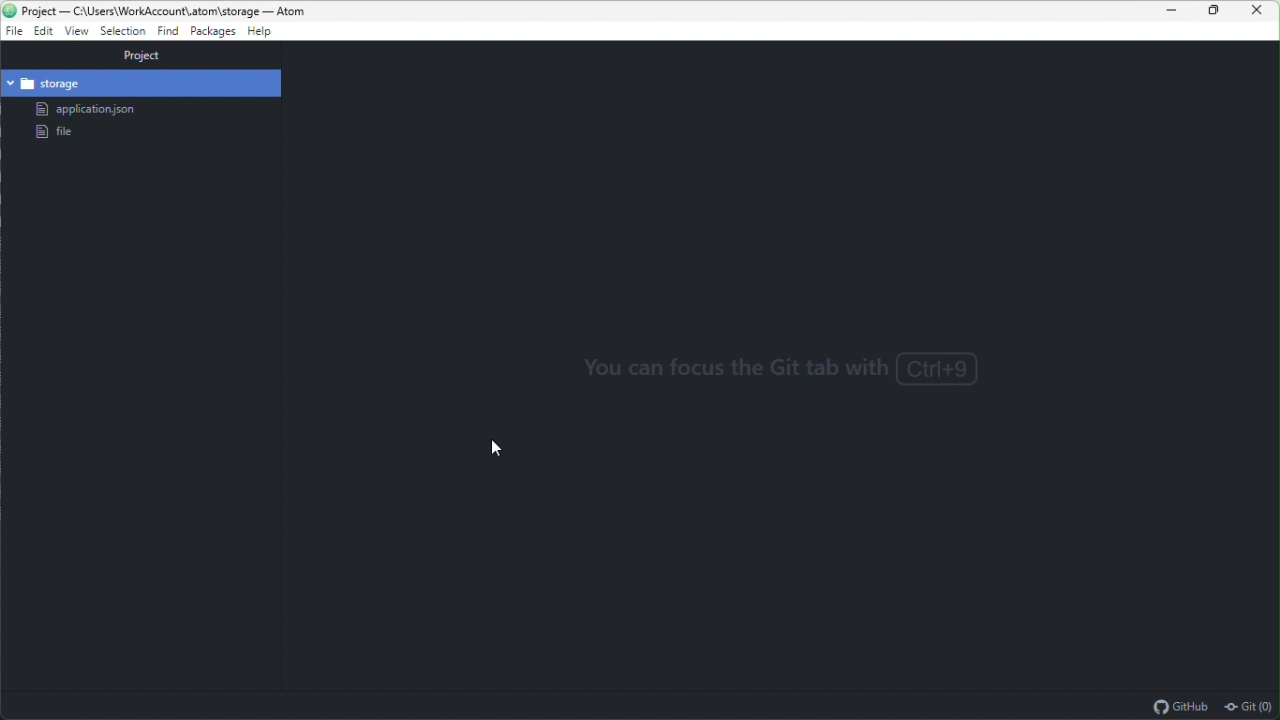 This screenshot has height=720, width=1280. Describe the element at coordinates (142, 82) in the screenshot. I see `storage` at that location.